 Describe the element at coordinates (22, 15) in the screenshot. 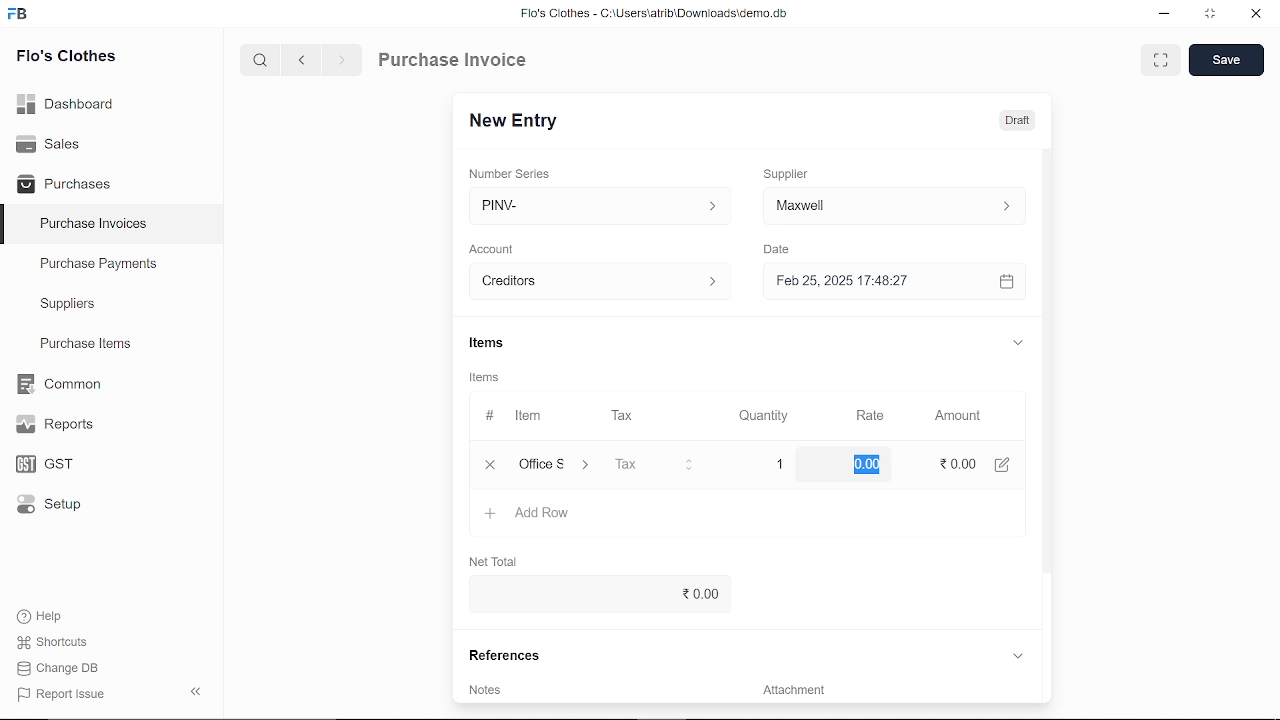

I see `frappe books logo` at that location.